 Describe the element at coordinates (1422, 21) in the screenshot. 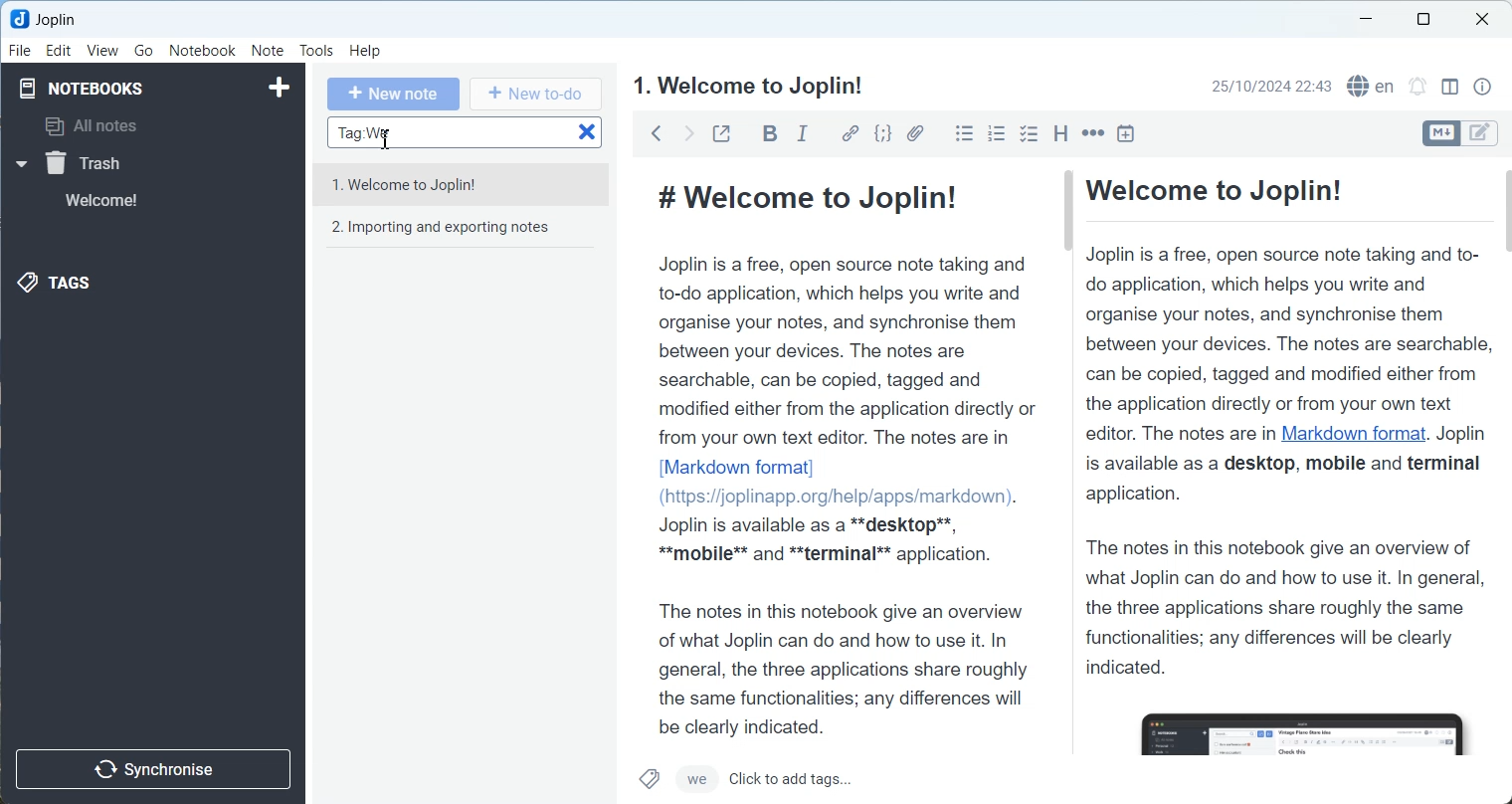

I see `Maximize` at that location.